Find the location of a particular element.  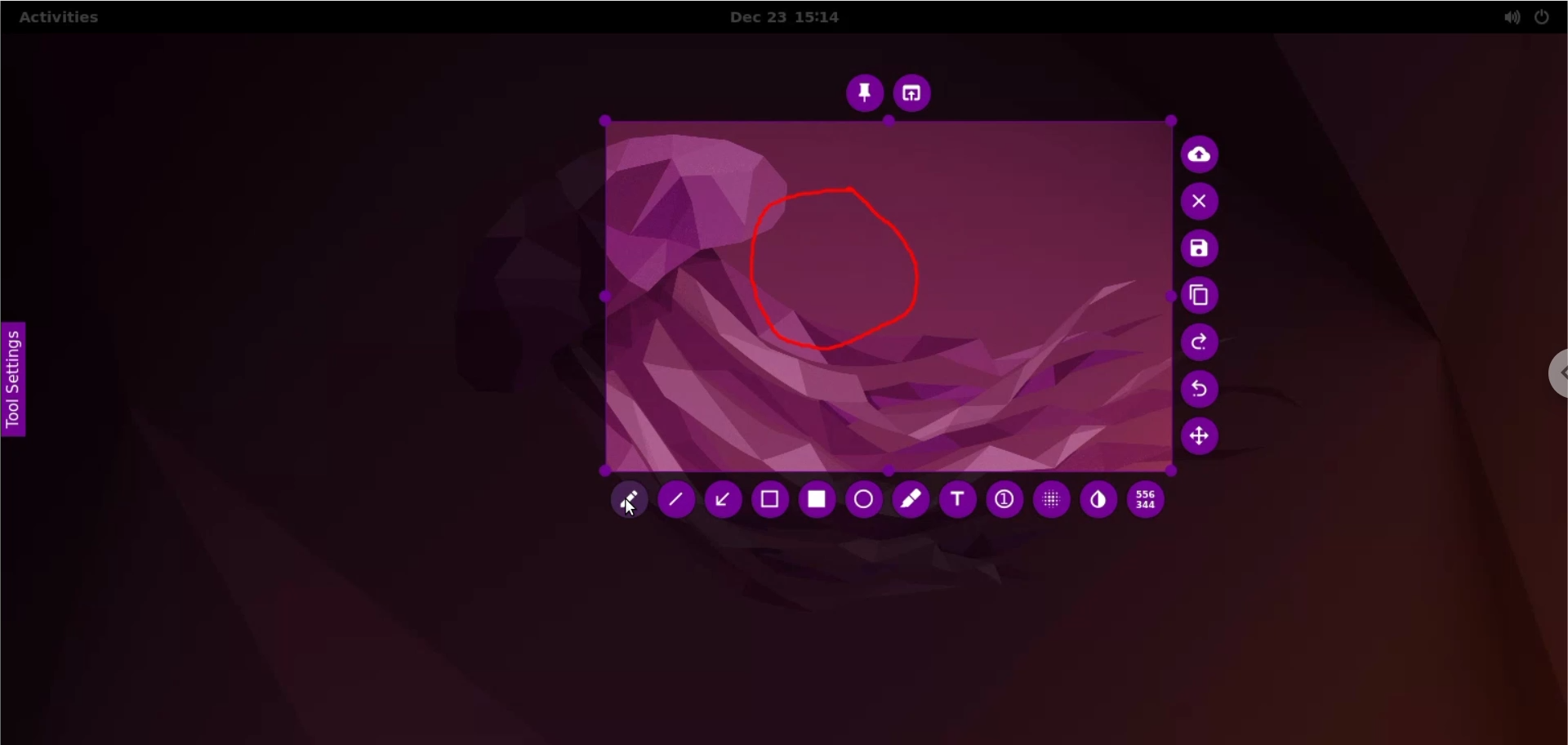

undo is located at coordinates (1204, 390).